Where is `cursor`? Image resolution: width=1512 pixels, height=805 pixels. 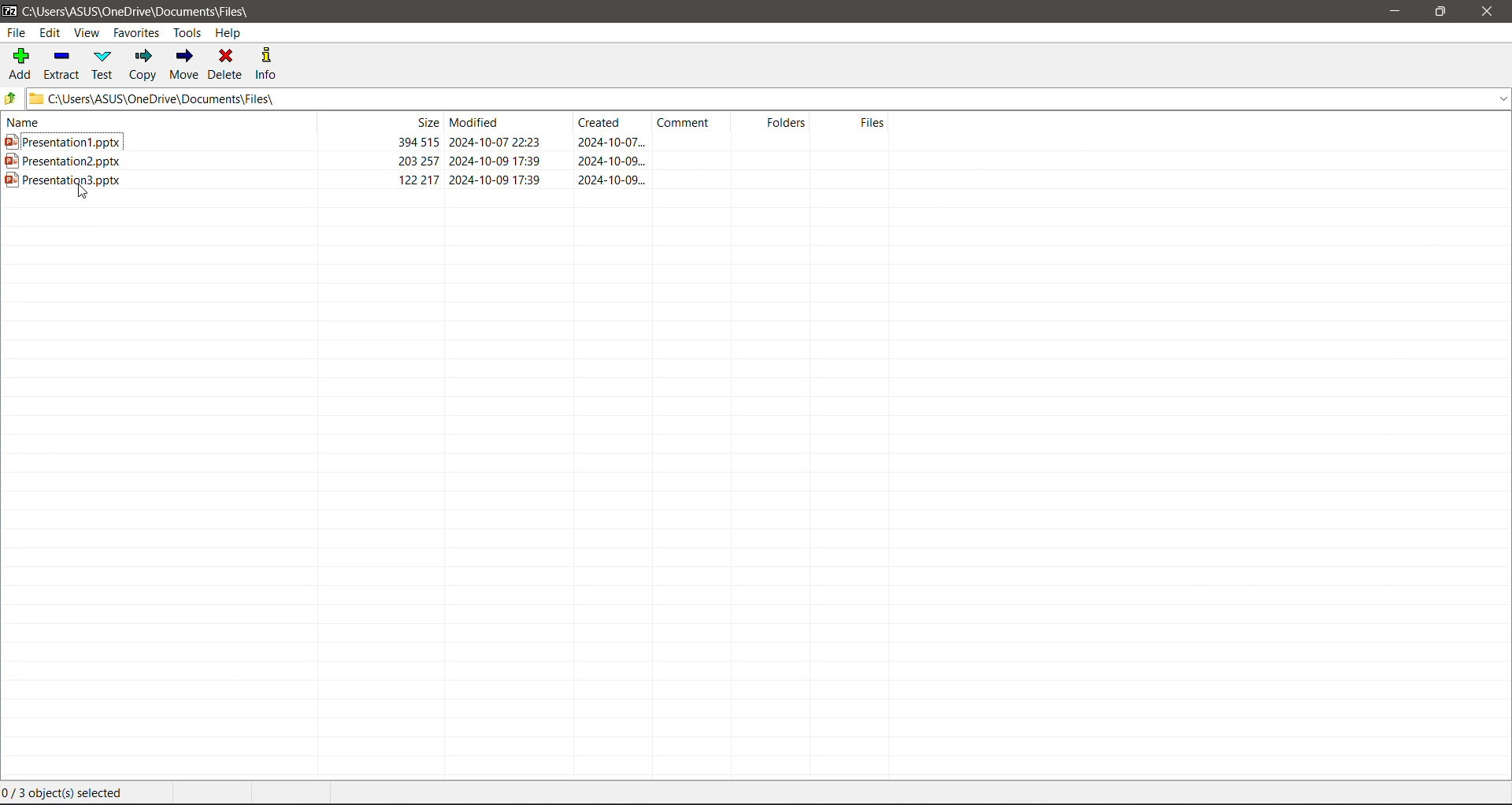 cursor is located at coordinates (82, 192).